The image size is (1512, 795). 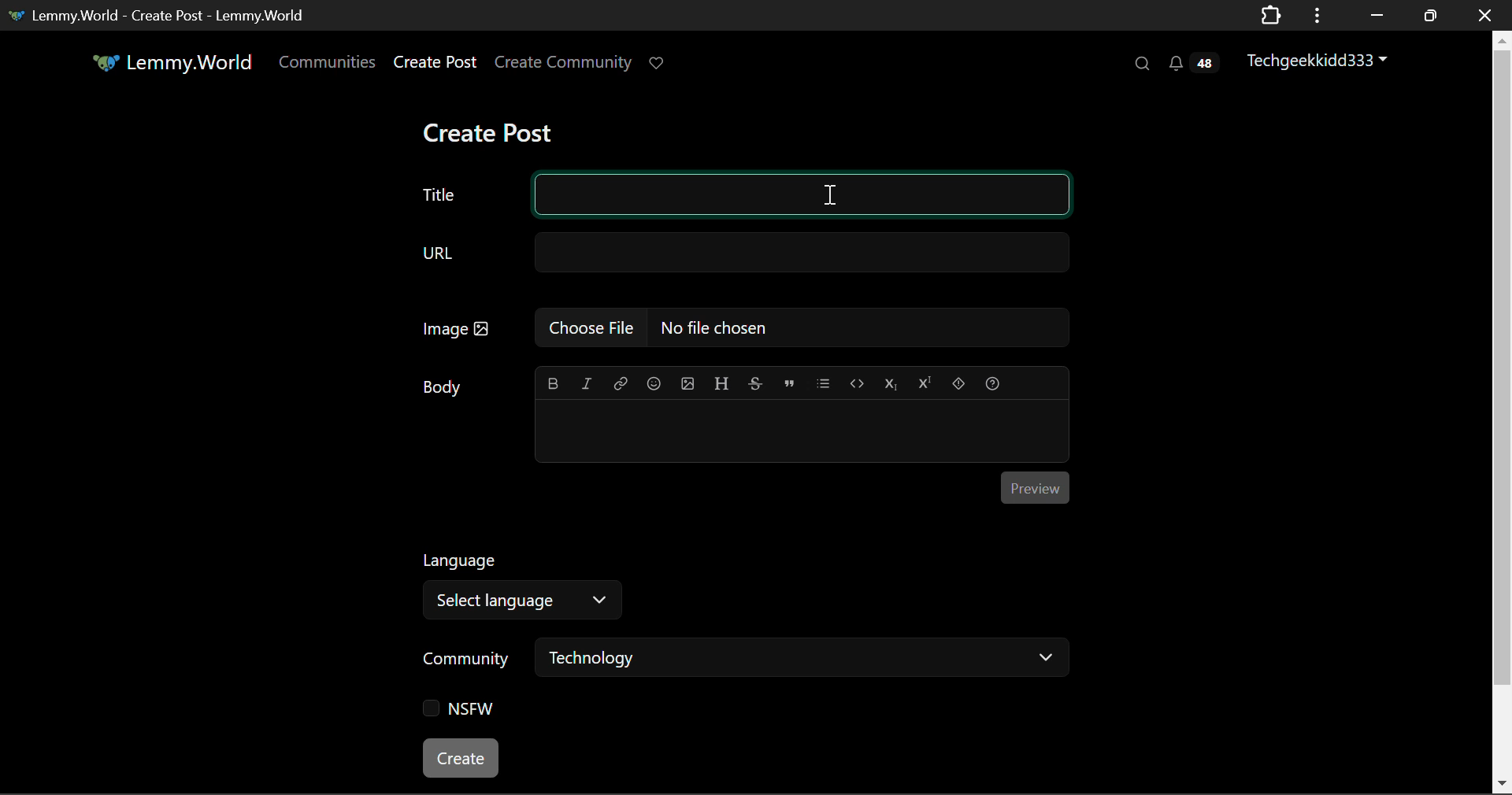 What do you see at coordinates (922, 380) in the screenshot?
I see `superscript` at bounding box center [922, 380].